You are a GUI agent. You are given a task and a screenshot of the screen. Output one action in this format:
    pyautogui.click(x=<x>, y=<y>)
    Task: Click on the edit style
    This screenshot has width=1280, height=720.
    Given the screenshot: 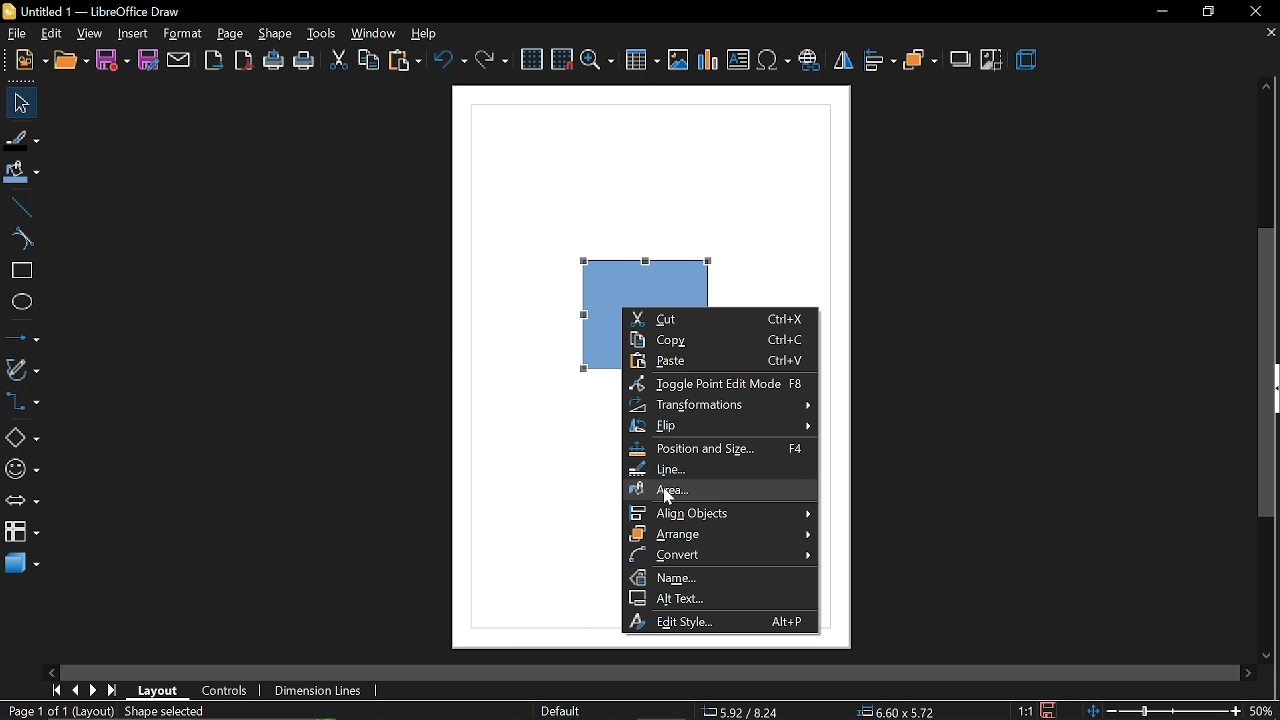 What is the action you would take?
    pyautogui.click(x=723, y=621)
    